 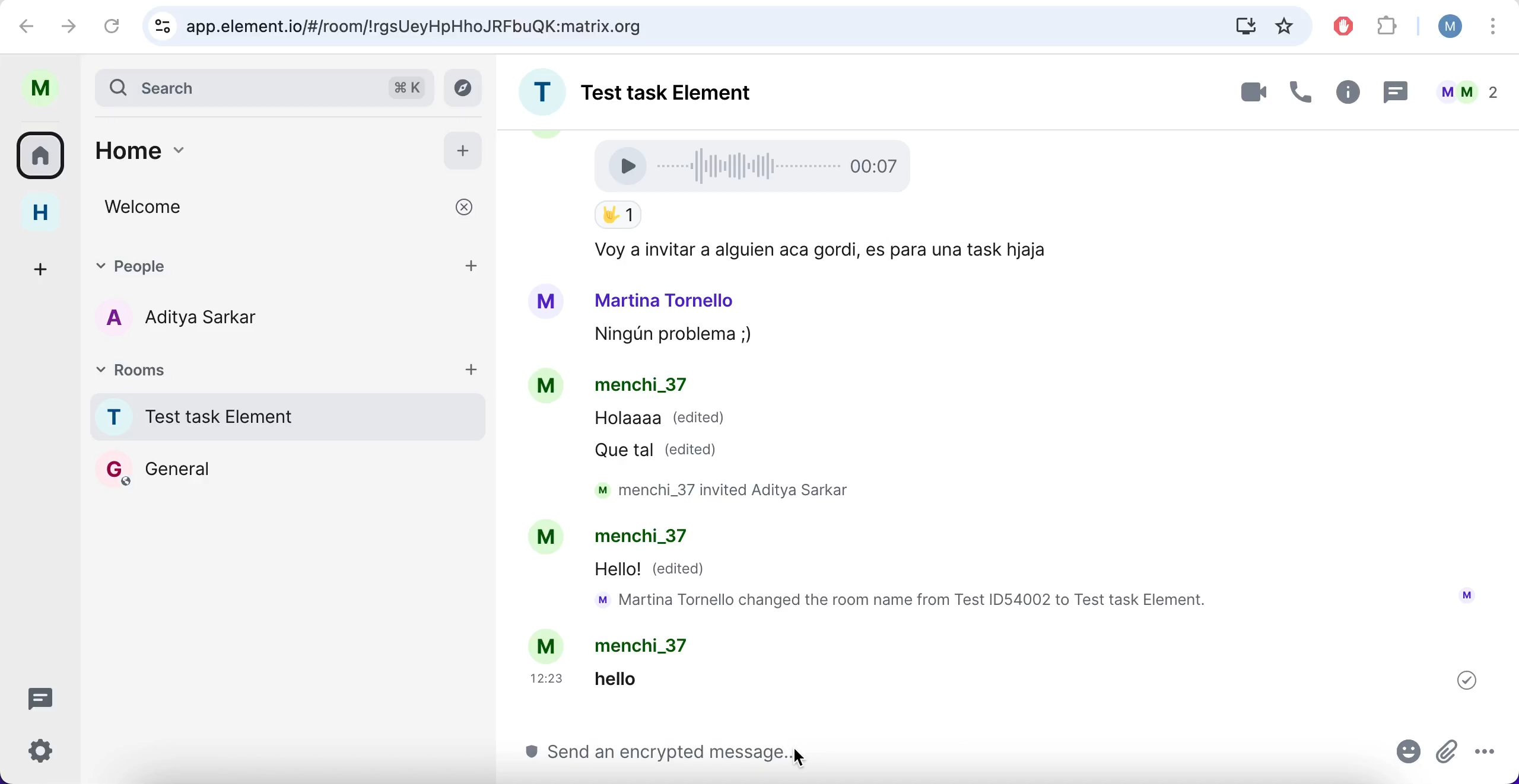 I want to click on , so click(x=1467, y=680).